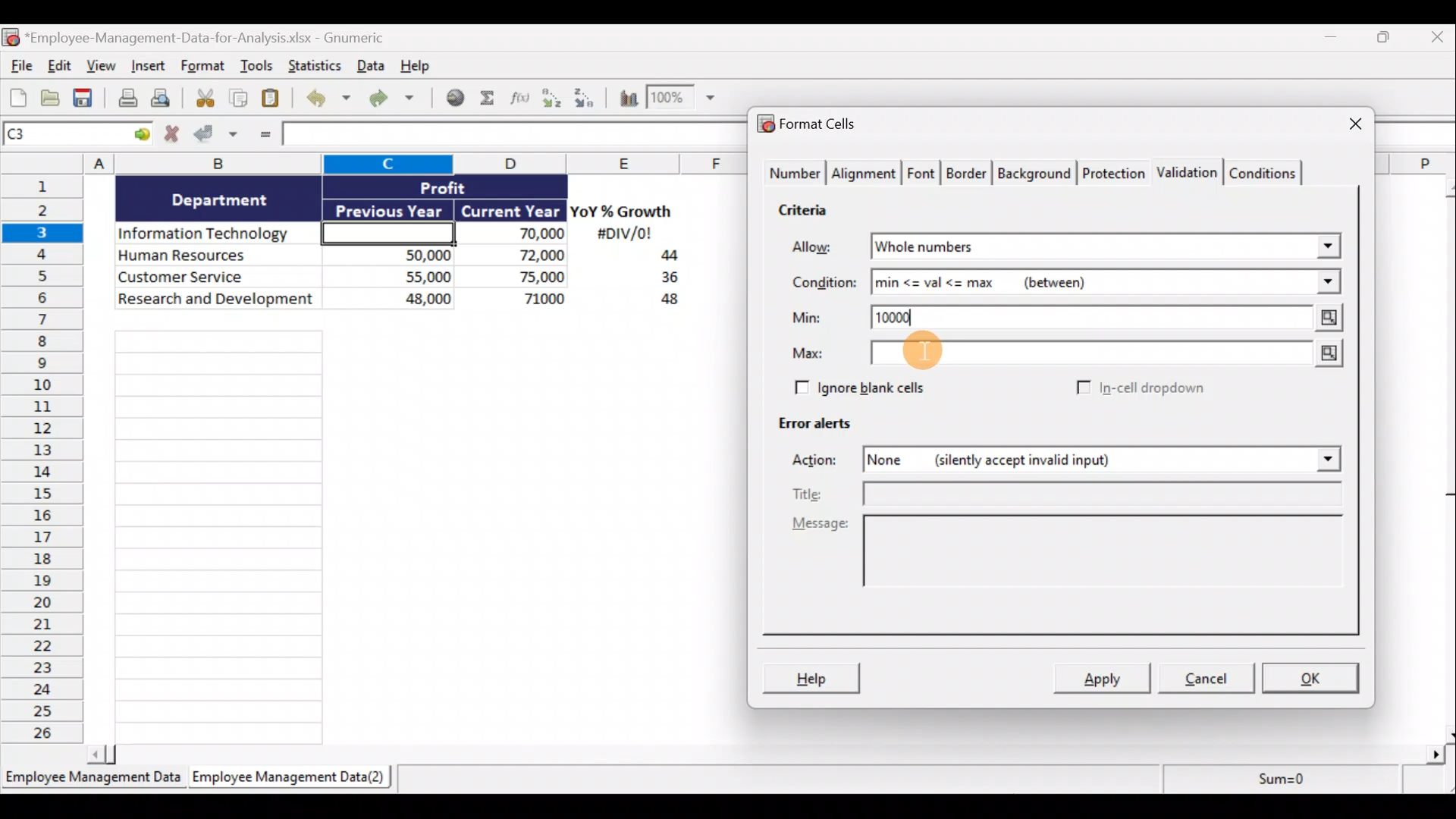 Image resolution: width=1456 pixels, height=819 pixels. Describe the element at coordinates (823, 462) in the screenshot. I see `Actions` at that location.